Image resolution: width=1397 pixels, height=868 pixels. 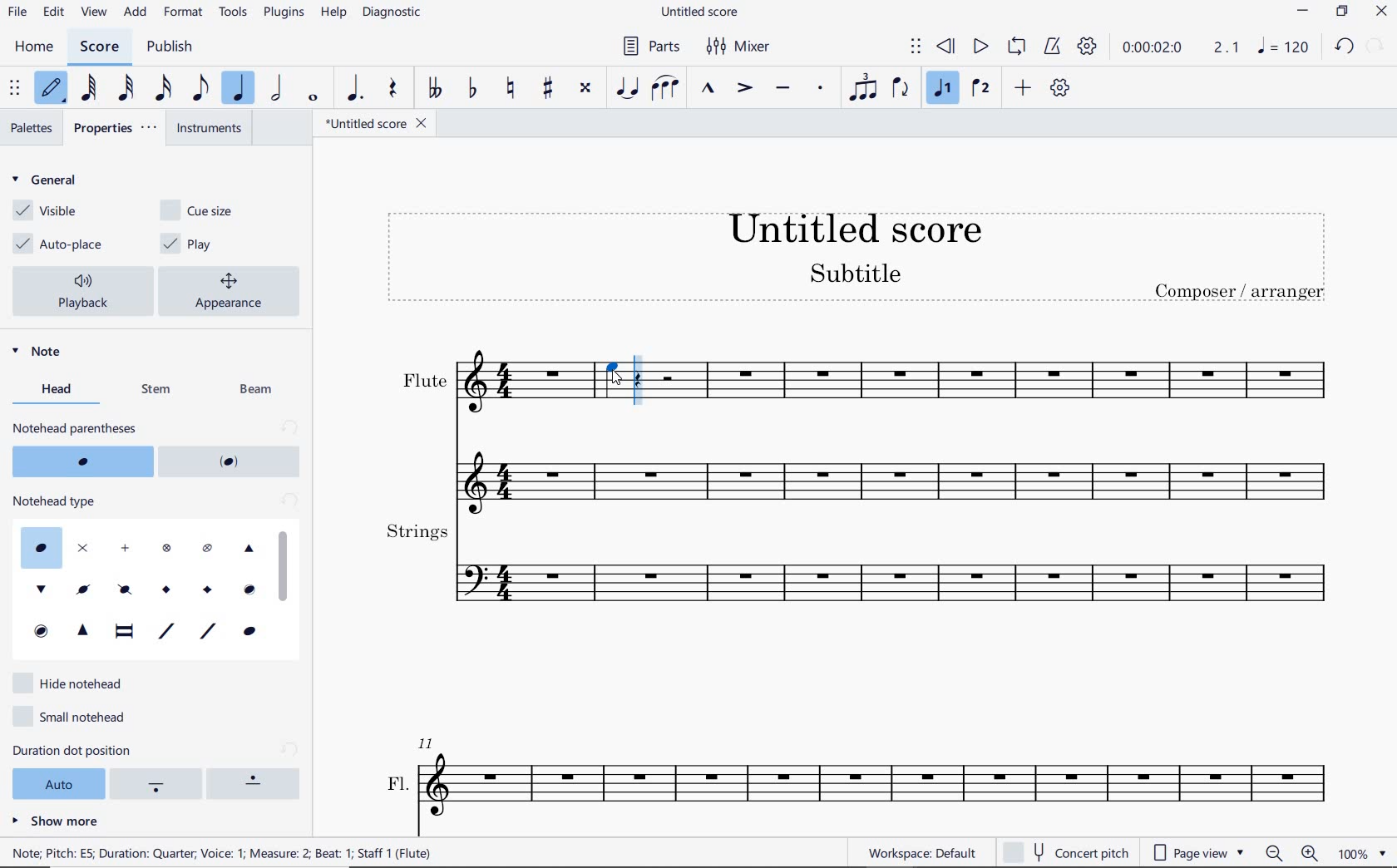 What do you see at coordinates (856, 567) in the screenshot?
I see `strings` at bounding box center [856, 567].